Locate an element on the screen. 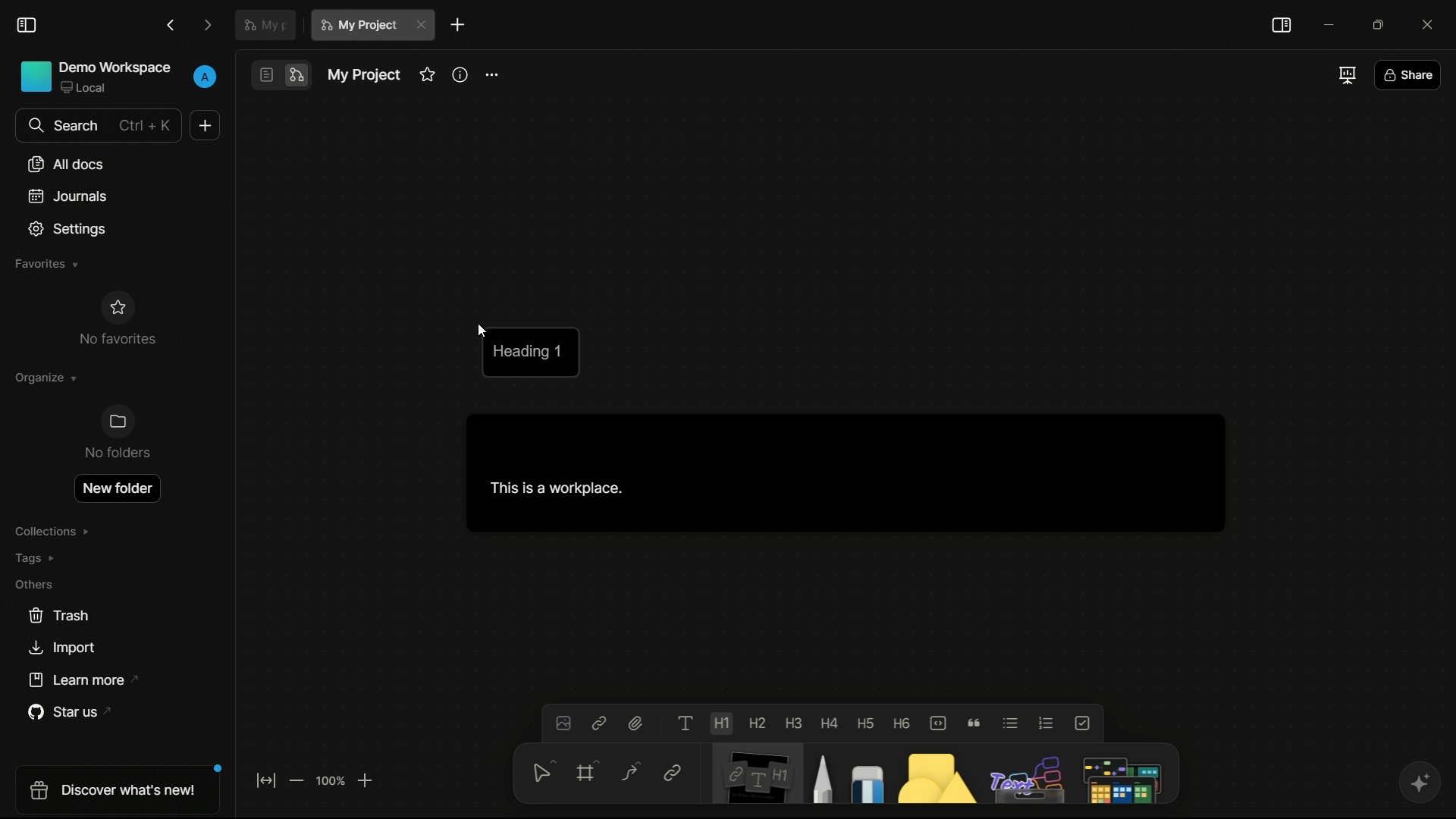 The image size is (1456, 819). full screen is located at coordinates (1345, 76).